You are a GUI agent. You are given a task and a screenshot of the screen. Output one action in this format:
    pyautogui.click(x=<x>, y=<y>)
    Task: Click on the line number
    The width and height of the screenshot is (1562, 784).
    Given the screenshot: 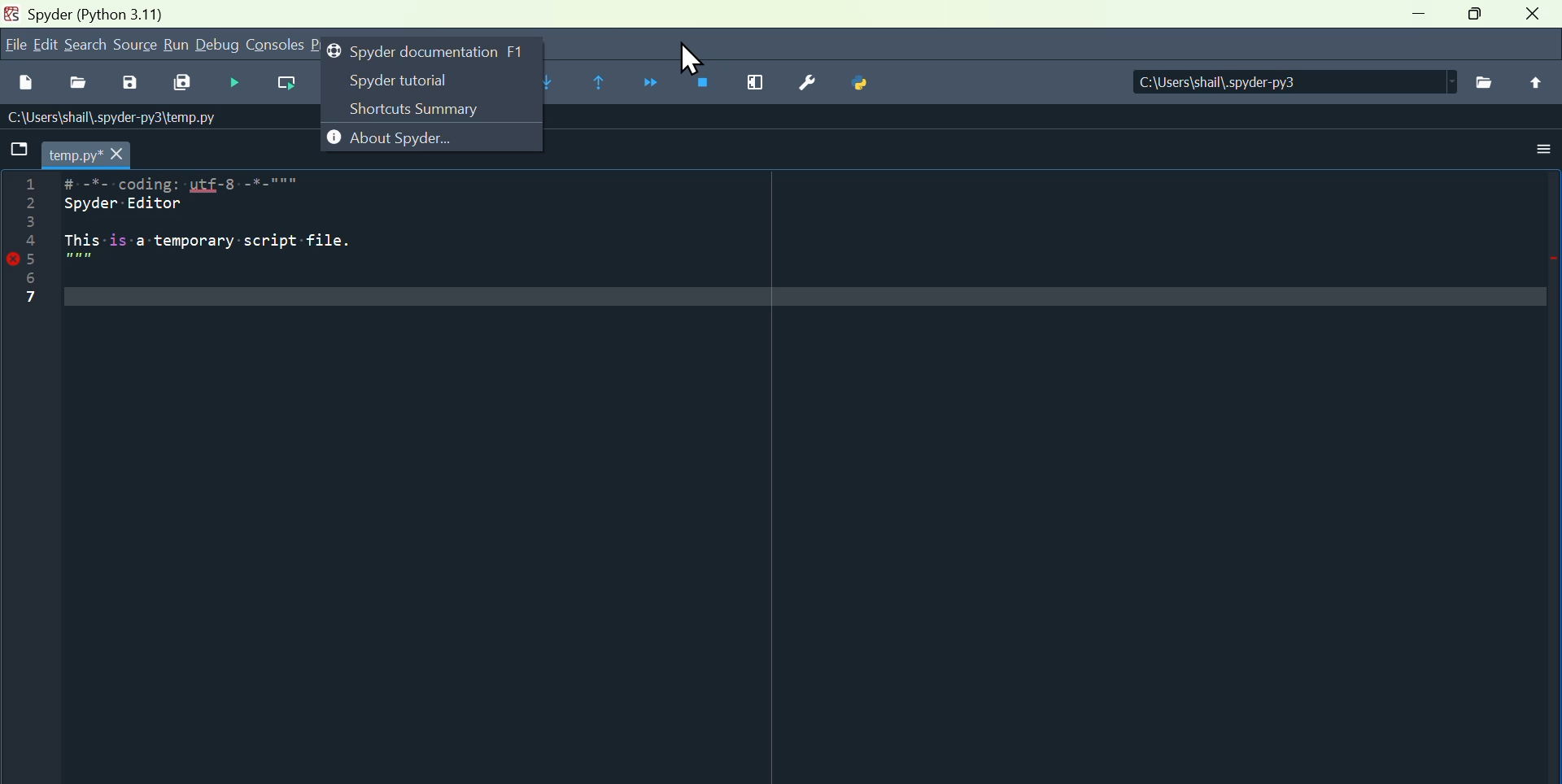 What is the action you would take?
    pyautogui.click(x=36, y=240)
    